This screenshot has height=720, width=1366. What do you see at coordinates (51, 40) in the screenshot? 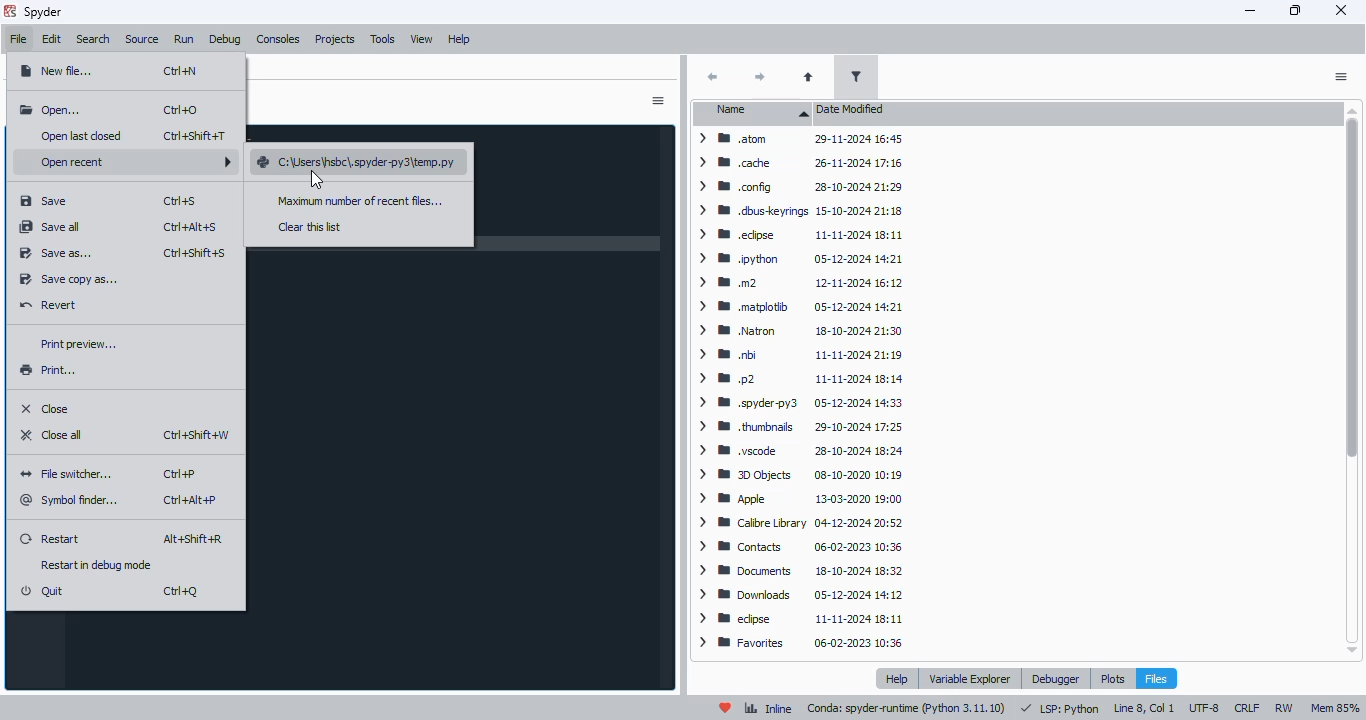
I see `edit` at bounding box center [51, 40].